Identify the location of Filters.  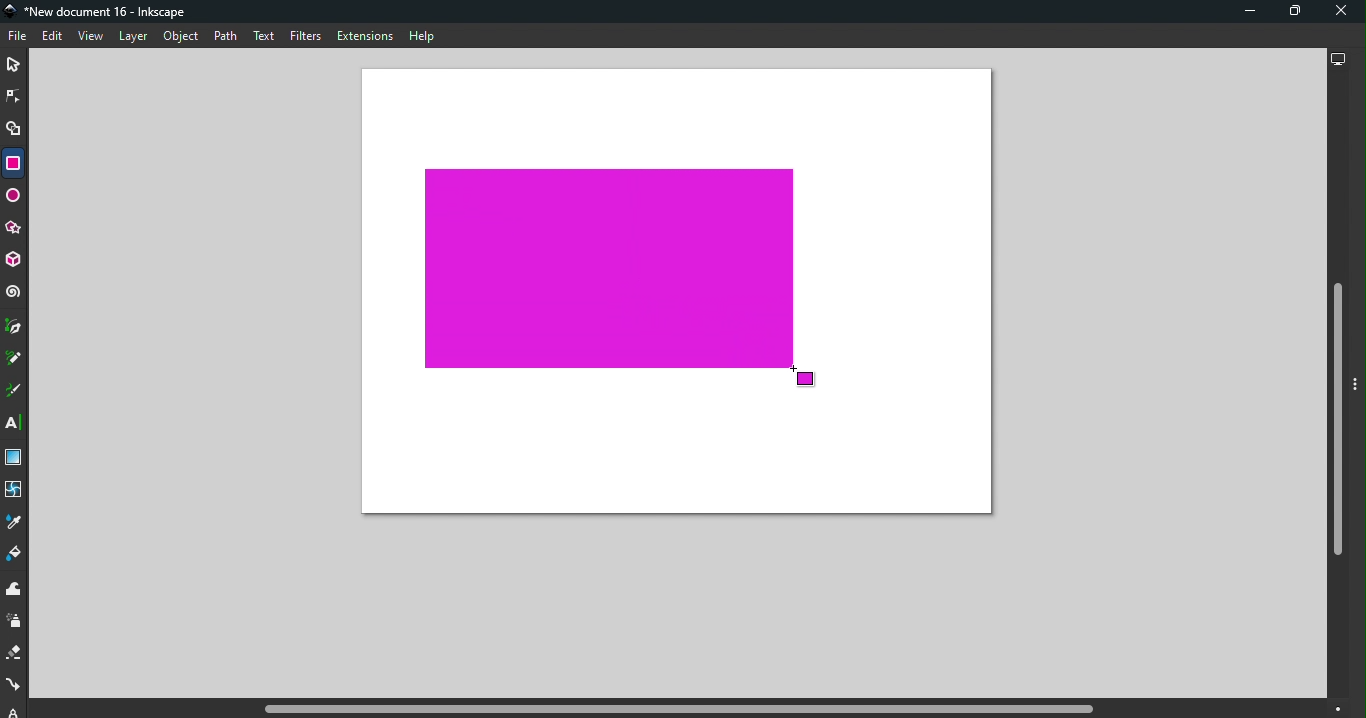
(306, 38).